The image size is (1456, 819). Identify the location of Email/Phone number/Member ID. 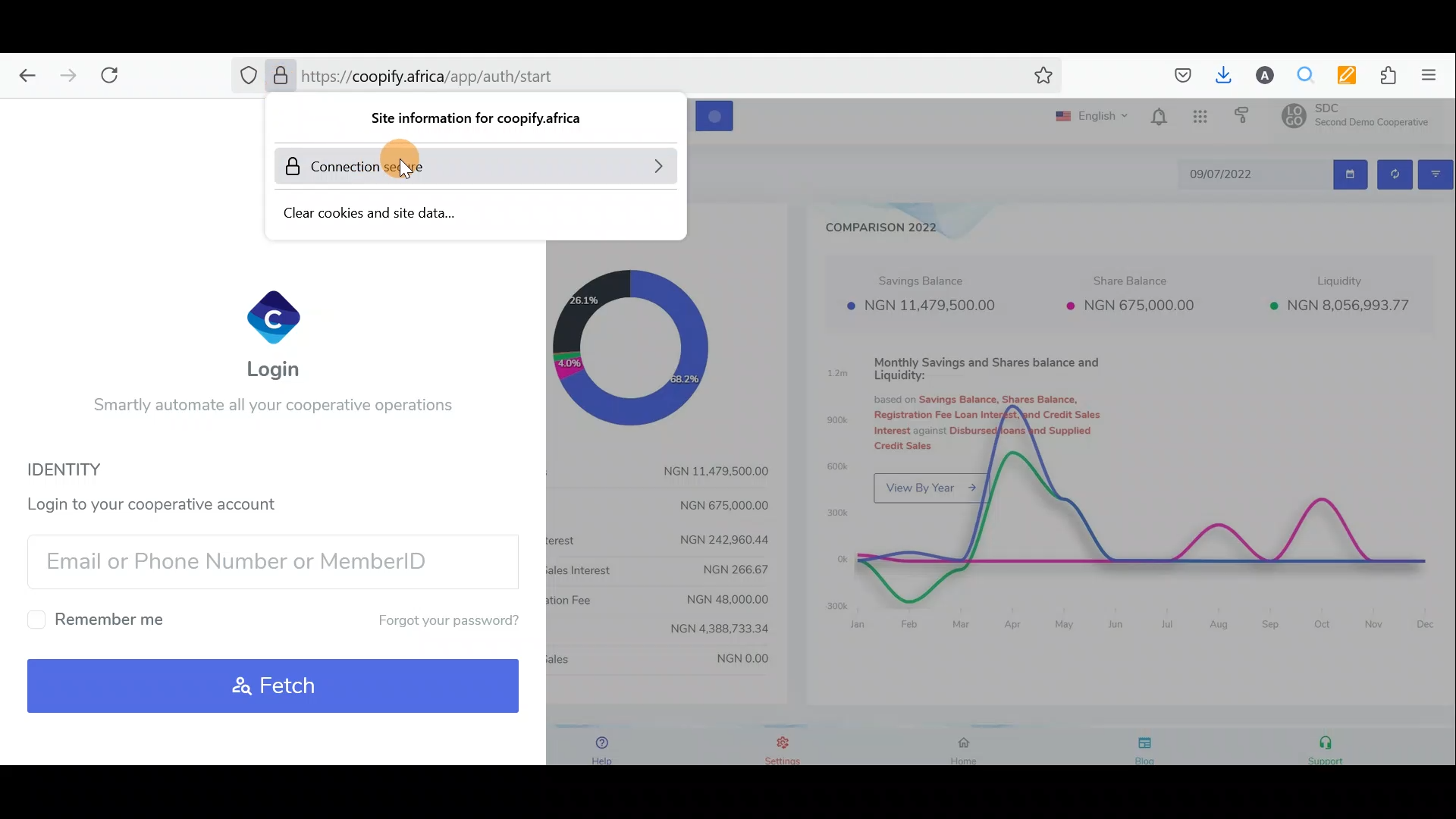
(265, 560).